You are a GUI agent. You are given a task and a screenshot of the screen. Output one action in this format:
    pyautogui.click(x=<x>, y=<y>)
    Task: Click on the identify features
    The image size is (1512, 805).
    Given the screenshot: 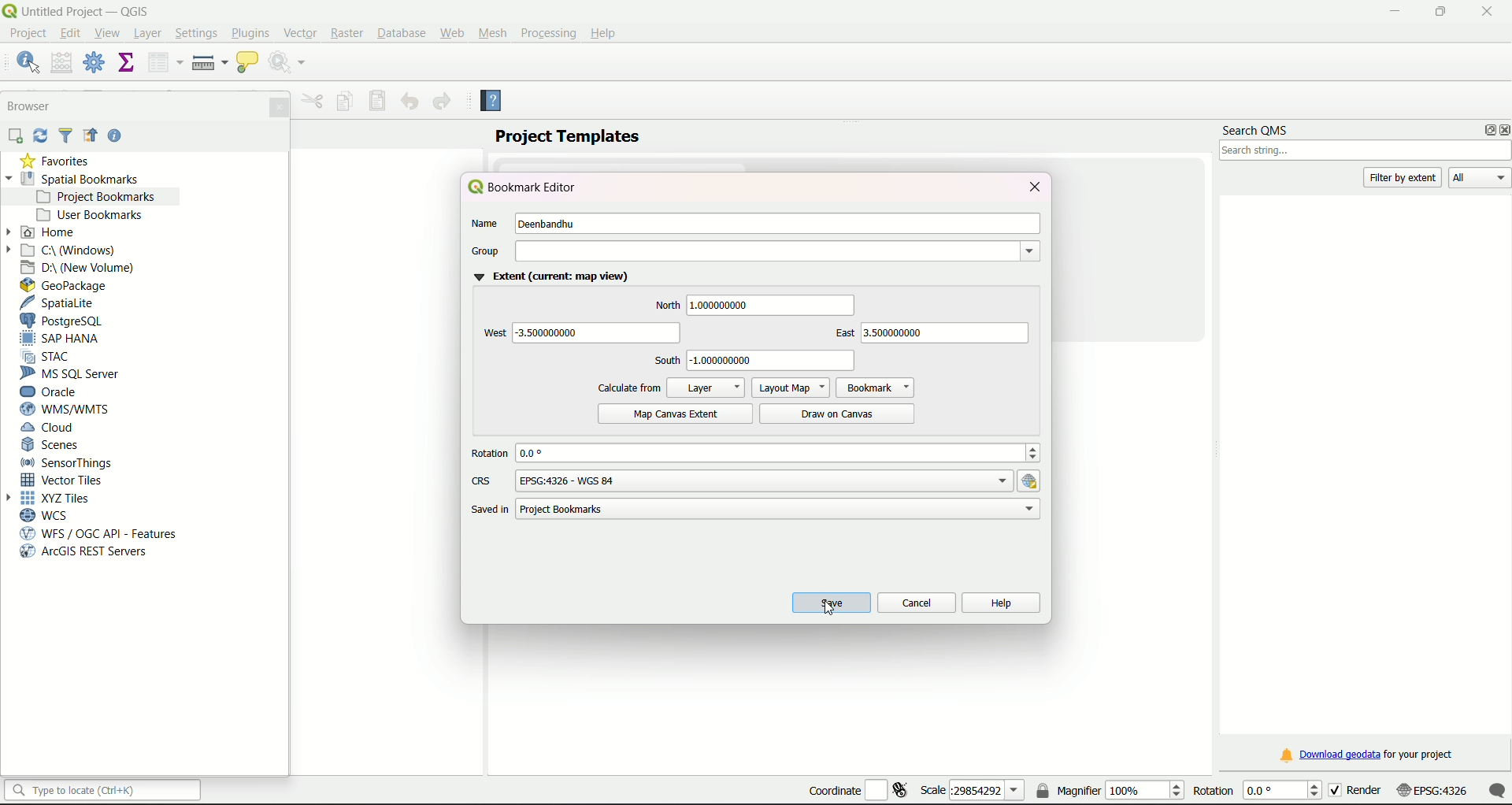 What is the action you would take?
    pyautogui.click(x=27, y=61)
    